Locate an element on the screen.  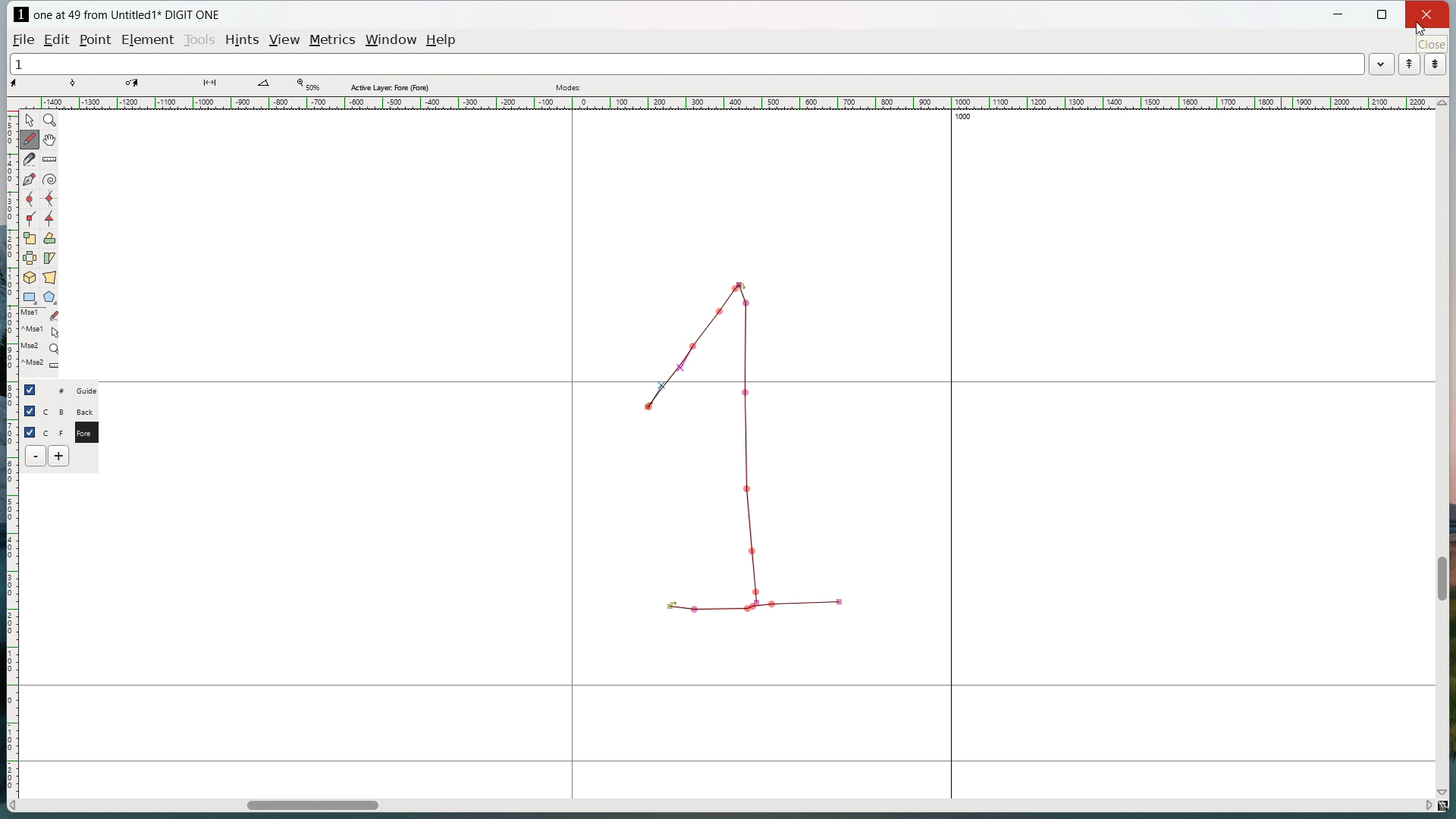
add a tangent point is located at coordinates (49, 218).